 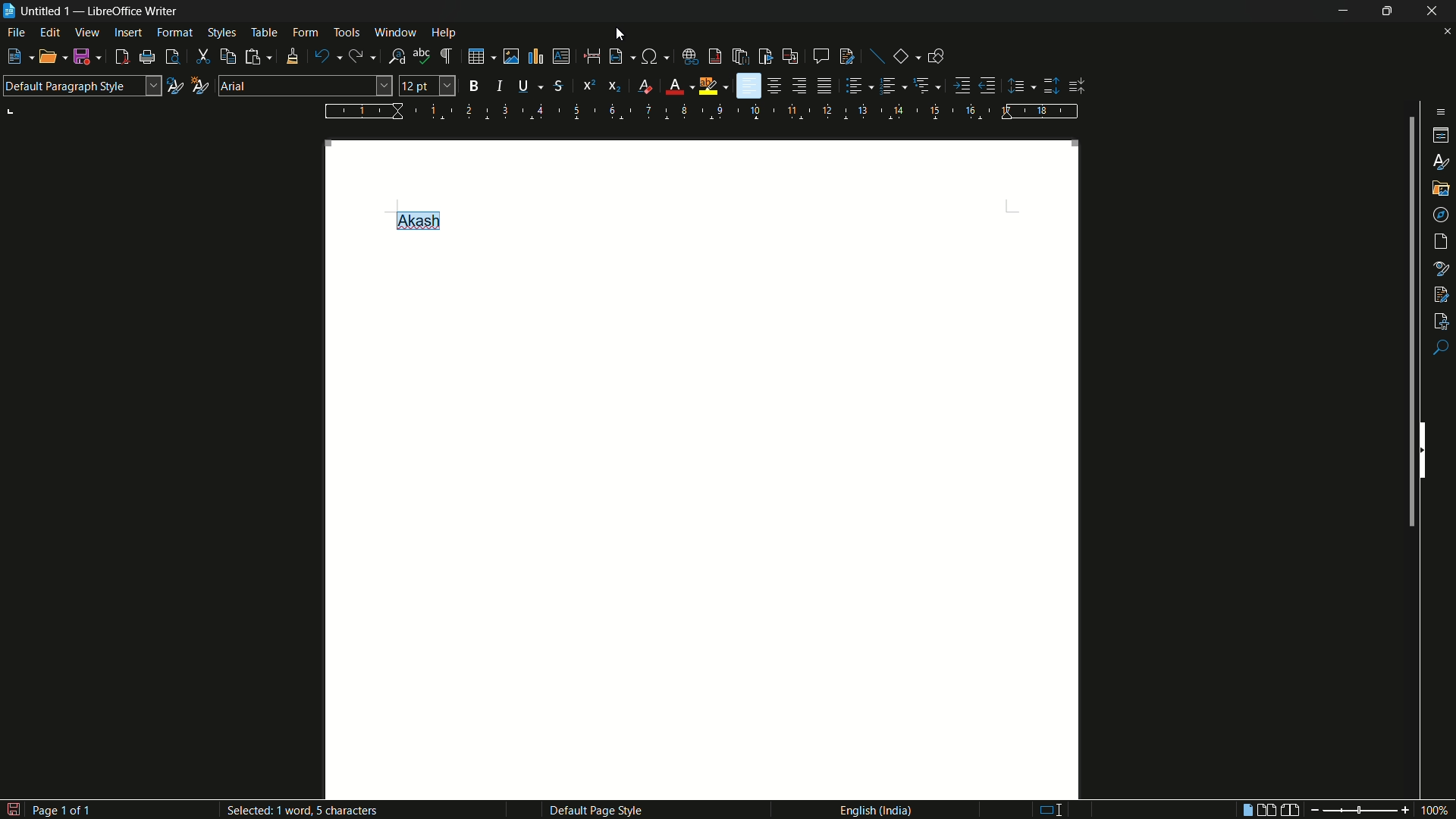 What do you see at coordinates (560, 56) in the screenshot?
I see `insert text box` at bounding box center [560, 56].